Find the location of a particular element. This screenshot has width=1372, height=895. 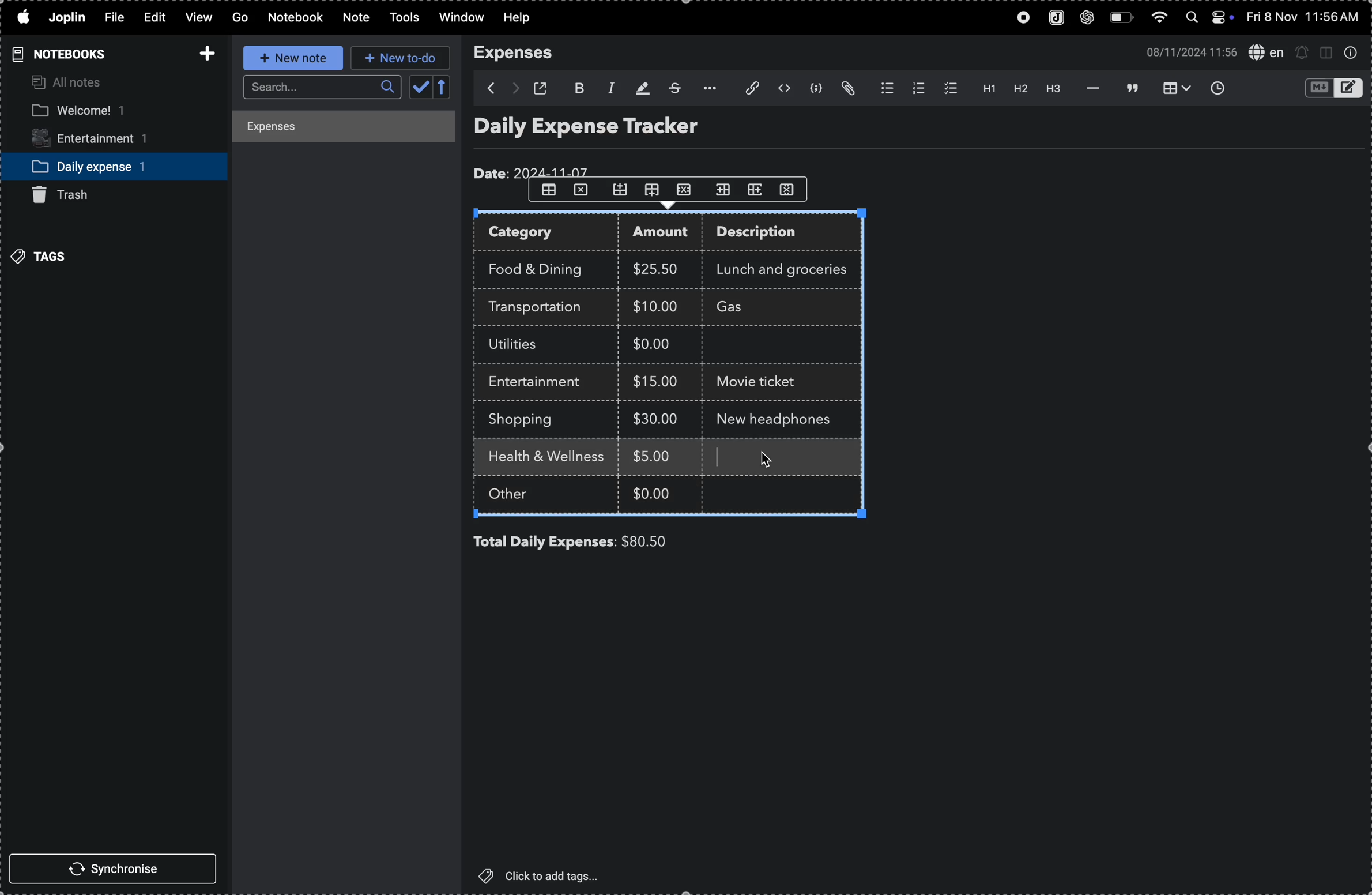

food and drink is located at coordinates (541, 267).